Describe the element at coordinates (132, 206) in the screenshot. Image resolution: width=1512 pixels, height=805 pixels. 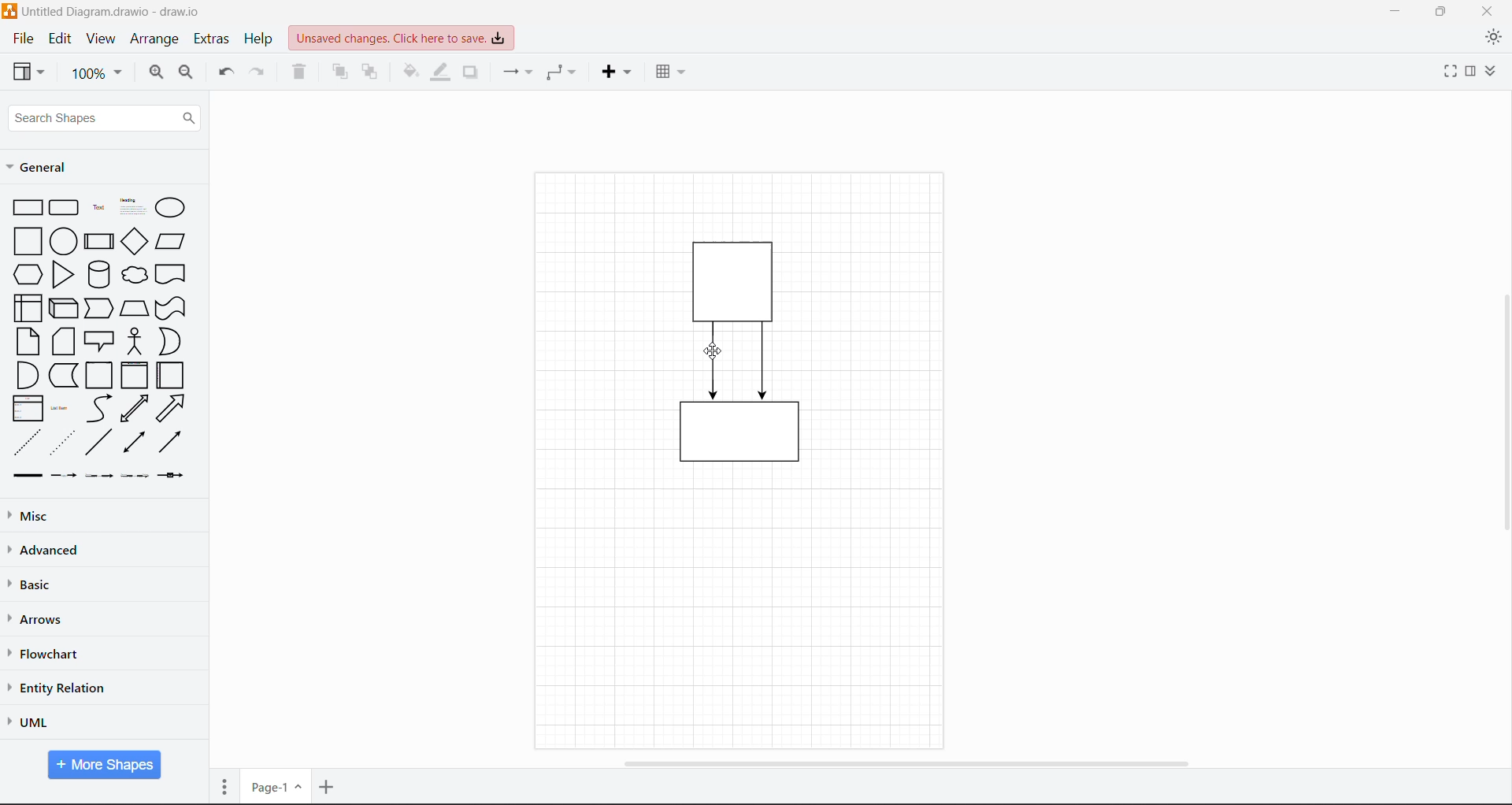
I see `Textbox` at that location.